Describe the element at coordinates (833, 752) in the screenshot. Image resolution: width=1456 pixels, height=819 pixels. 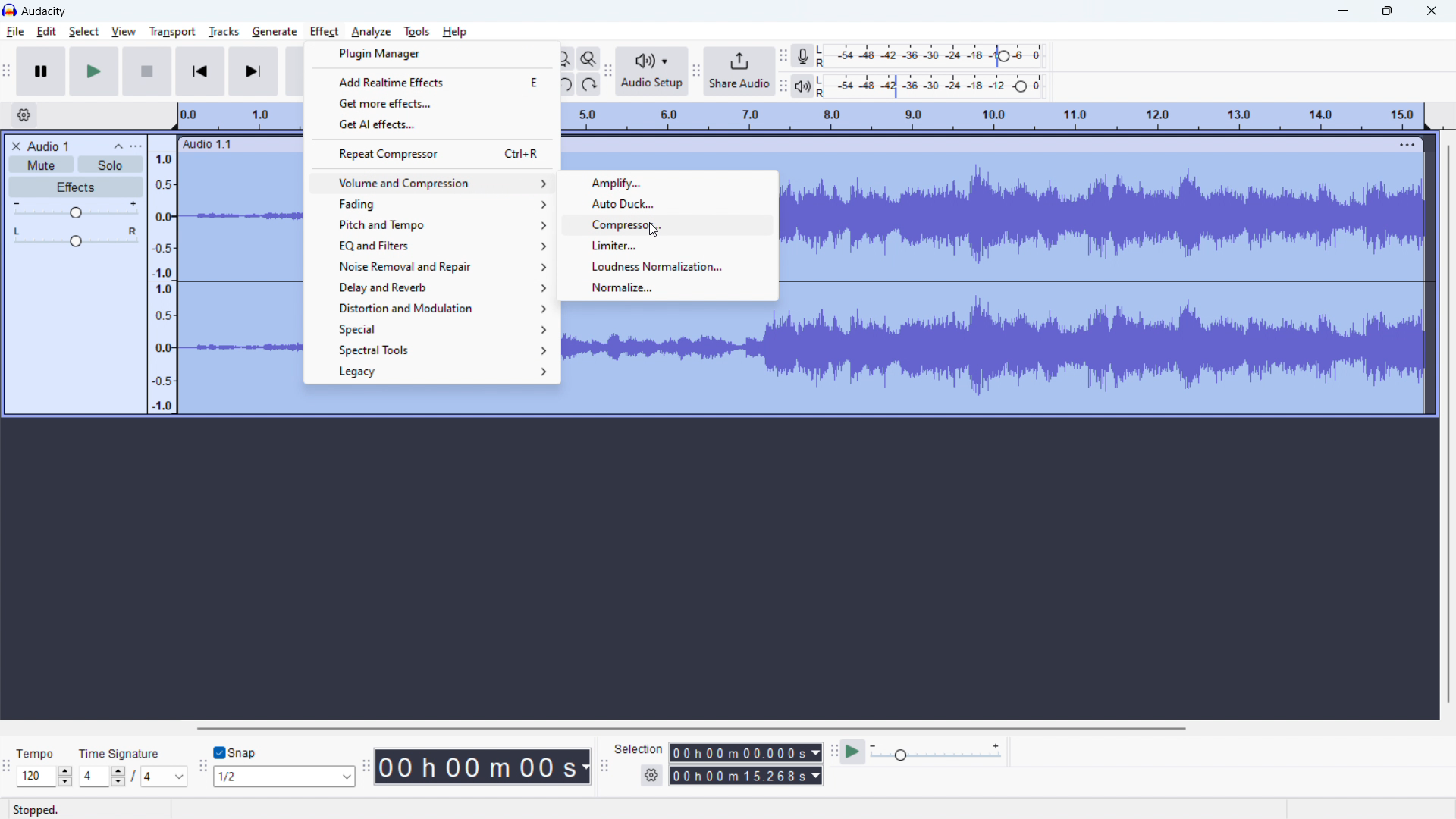
I see `play at speed toolbar` at that location.